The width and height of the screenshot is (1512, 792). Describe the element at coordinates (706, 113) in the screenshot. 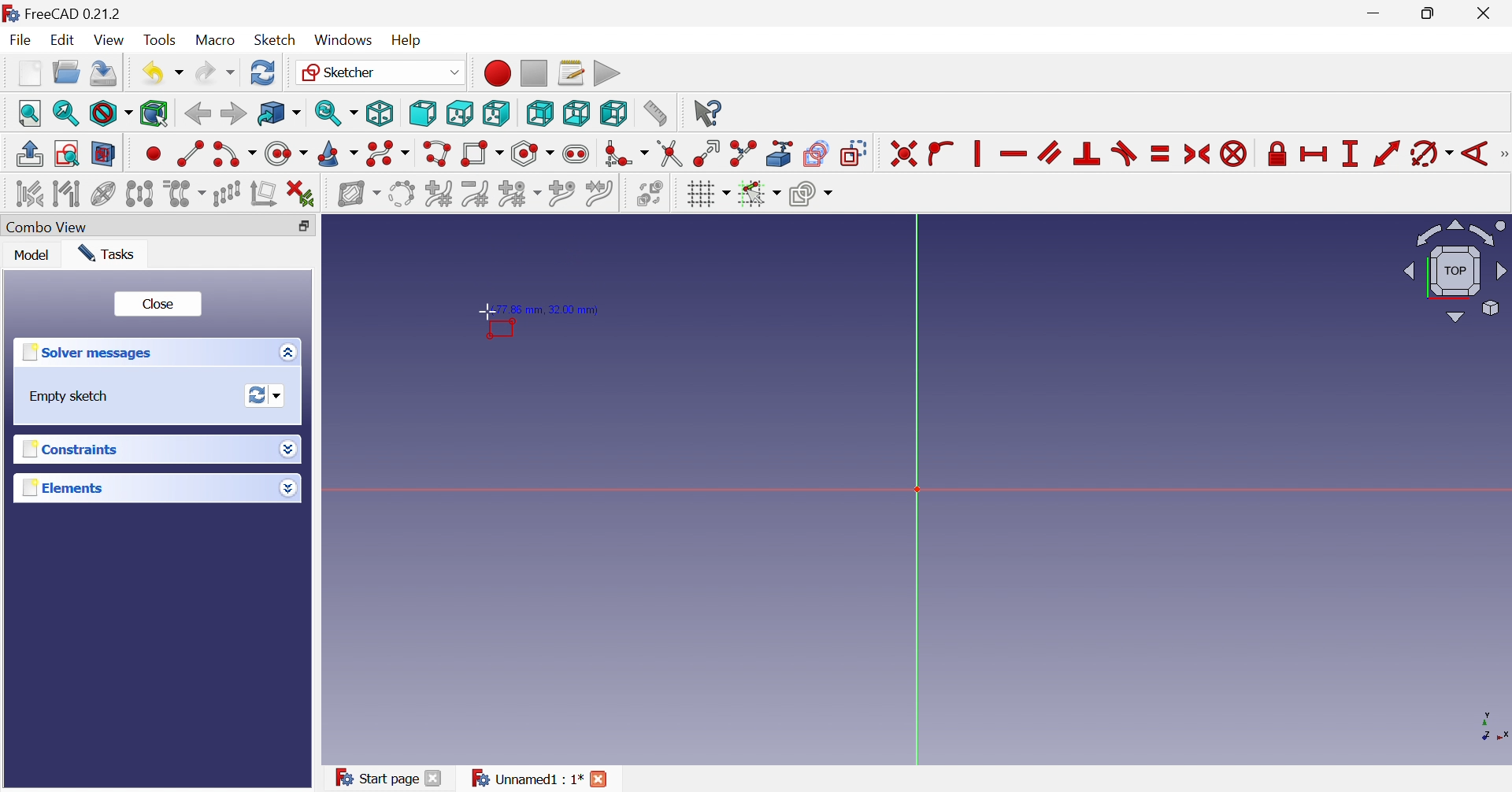

I see `What's this?` at that location.